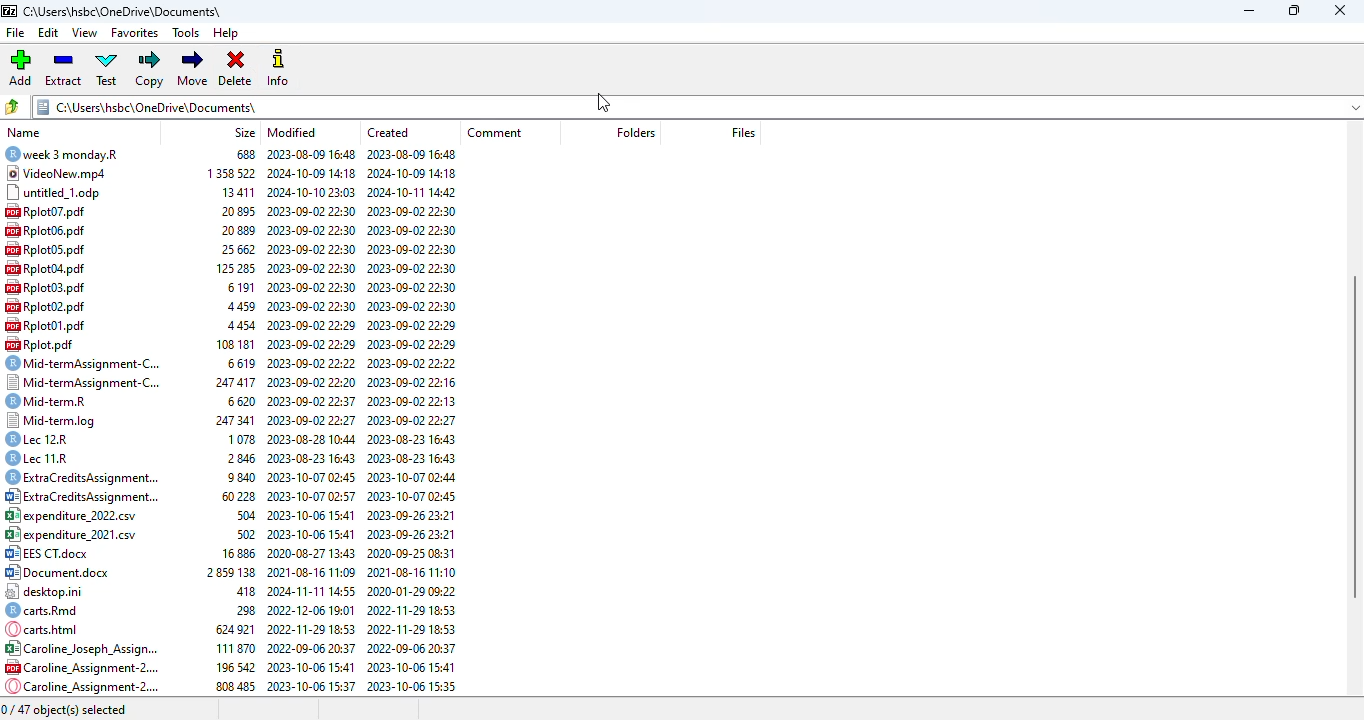 The width and height of the screenshot is (1364, 720). What do you see at coordinates (225, 33) in the screenshot?
I see `help` at bounding box center [225, 33].